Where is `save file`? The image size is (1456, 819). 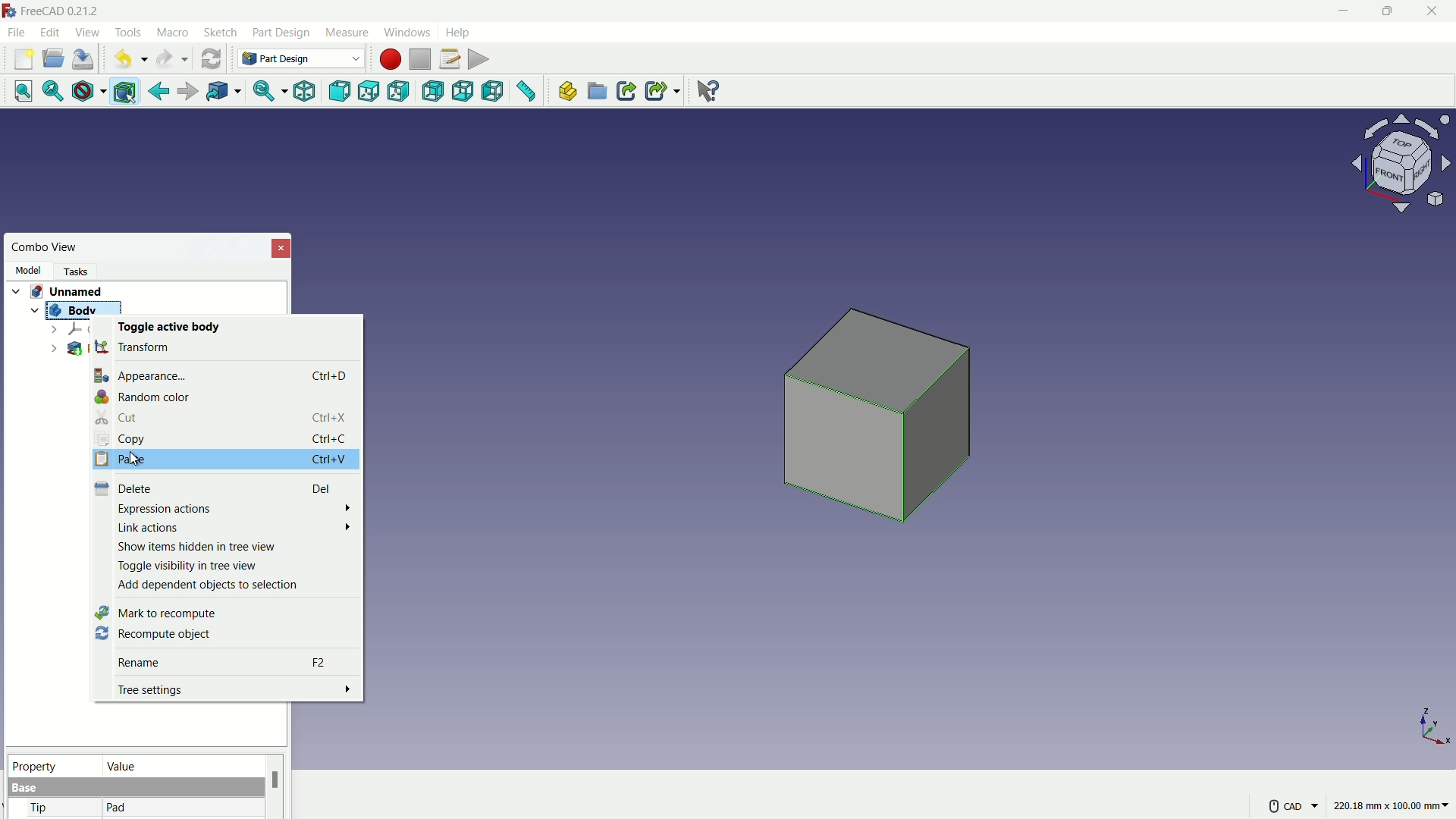
save file is located at coordinates (85, 60).